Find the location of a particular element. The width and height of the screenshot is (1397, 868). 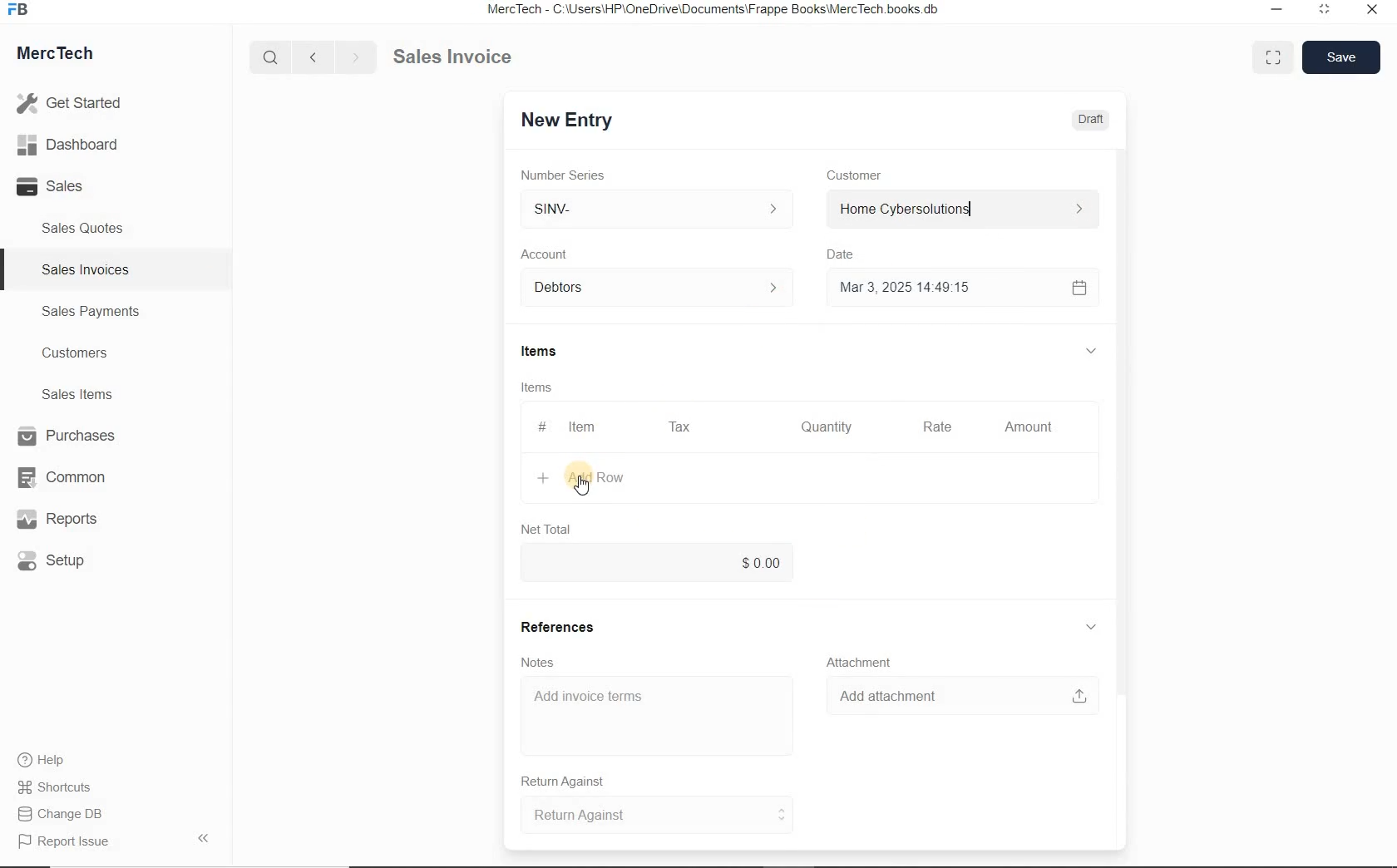

Customer is located at coordinates (865, 175).